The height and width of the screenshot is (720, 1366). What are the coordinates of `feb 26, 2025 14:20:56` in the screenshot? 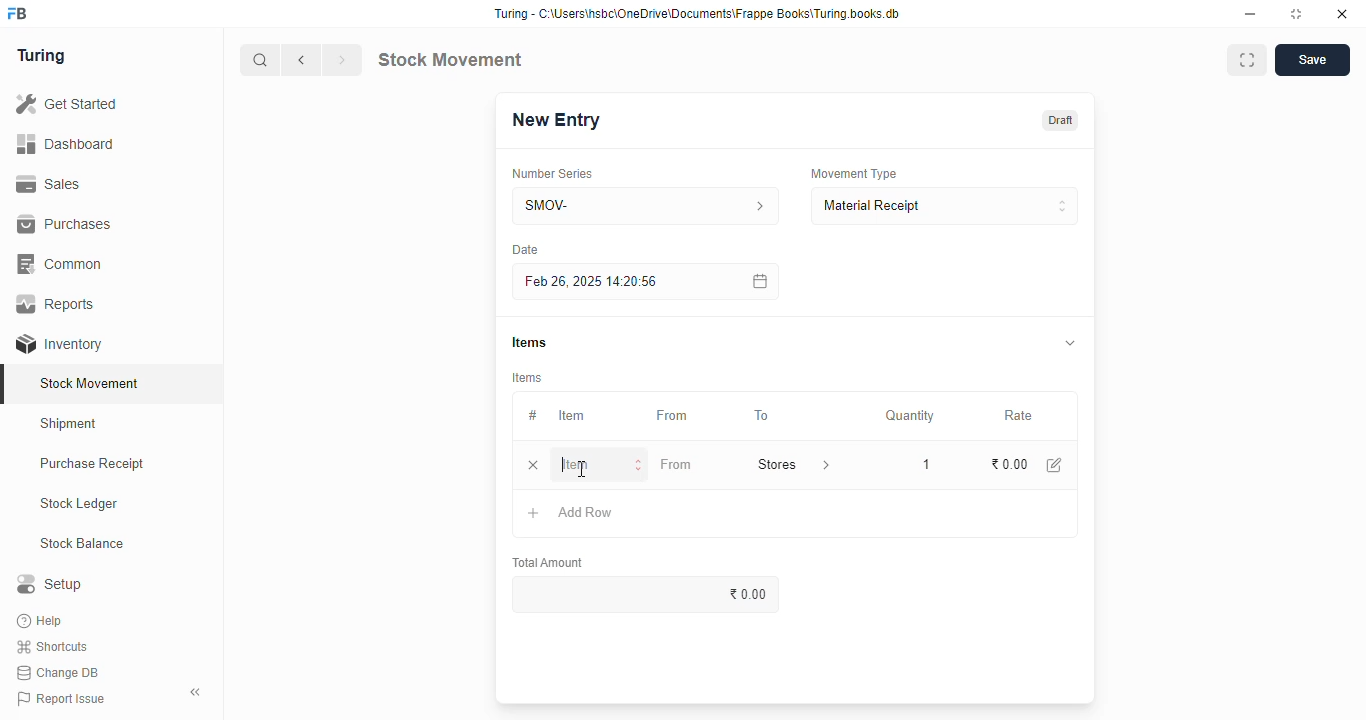 It's located at (595, 282).